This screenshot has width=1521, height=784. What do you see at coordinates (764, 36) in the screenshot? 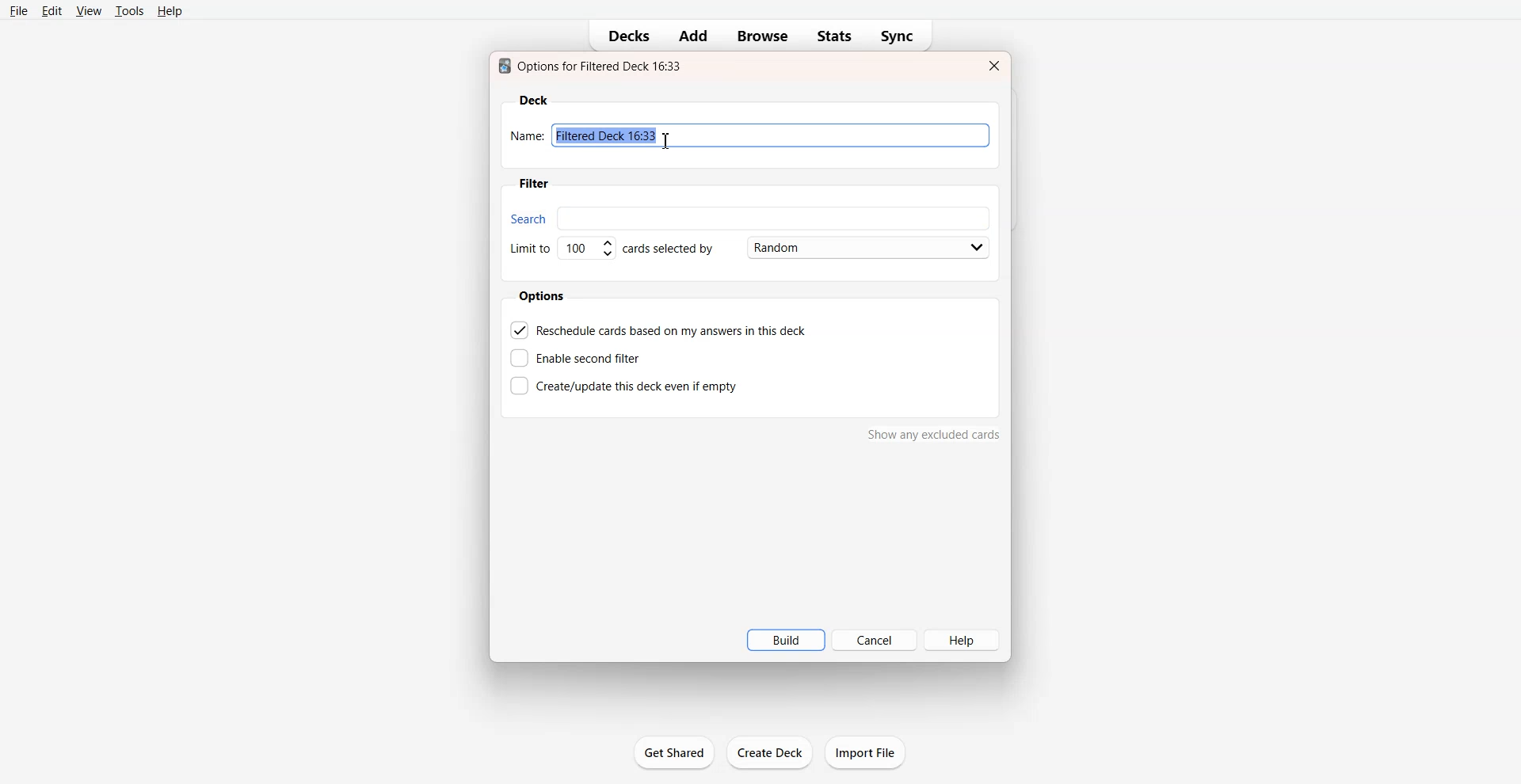
I see `Browse` at bounding box center [764, 36].